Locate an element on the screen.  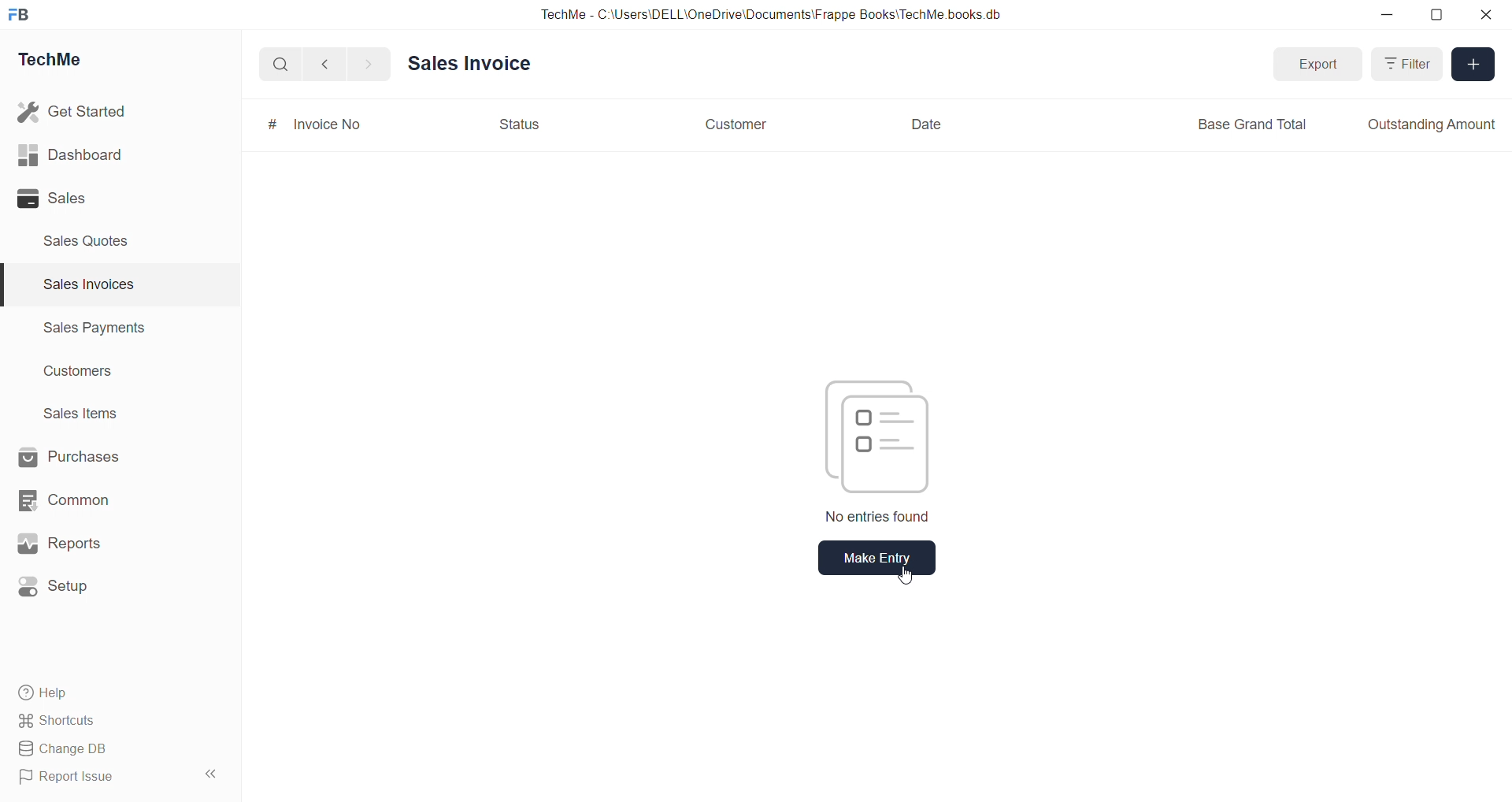
minimize is located at coordinates (1386, 14).